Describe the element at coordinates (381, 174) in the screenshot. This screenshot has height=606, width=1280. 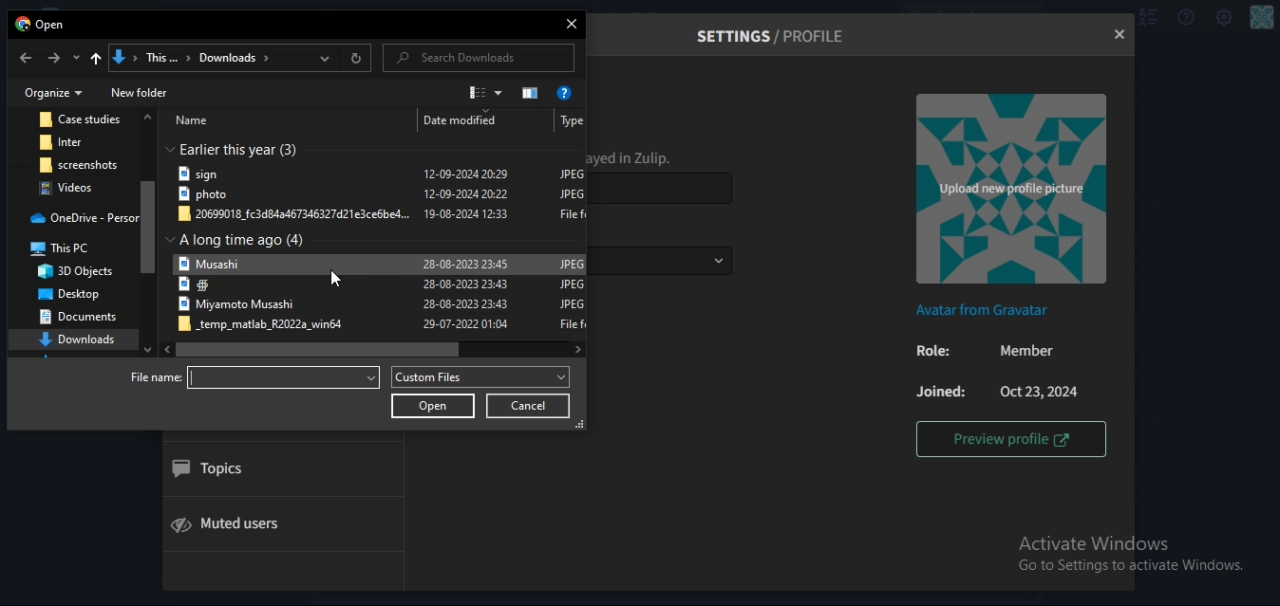
I see `filw` at that location.